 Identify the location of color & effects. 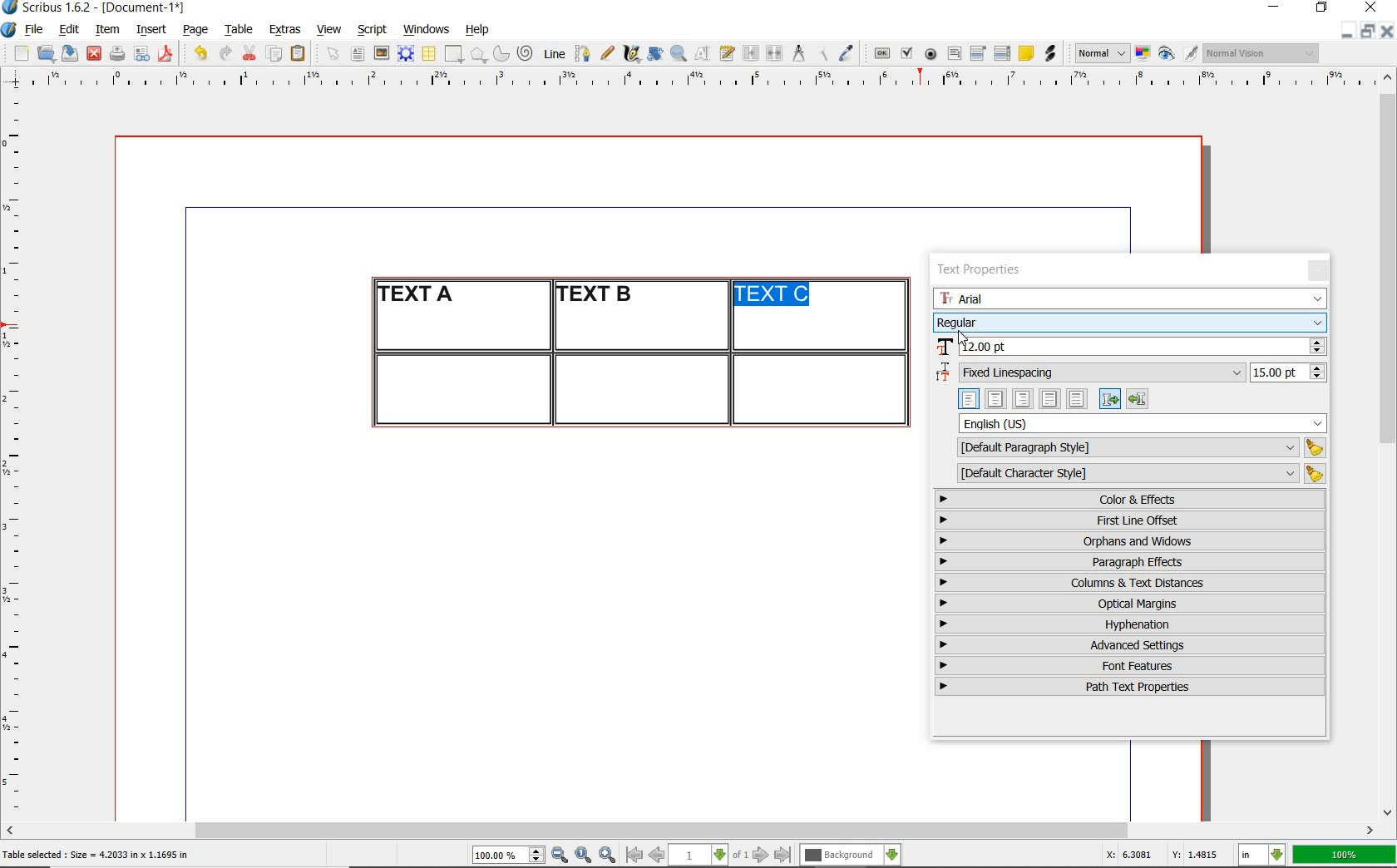
(1132, 499).